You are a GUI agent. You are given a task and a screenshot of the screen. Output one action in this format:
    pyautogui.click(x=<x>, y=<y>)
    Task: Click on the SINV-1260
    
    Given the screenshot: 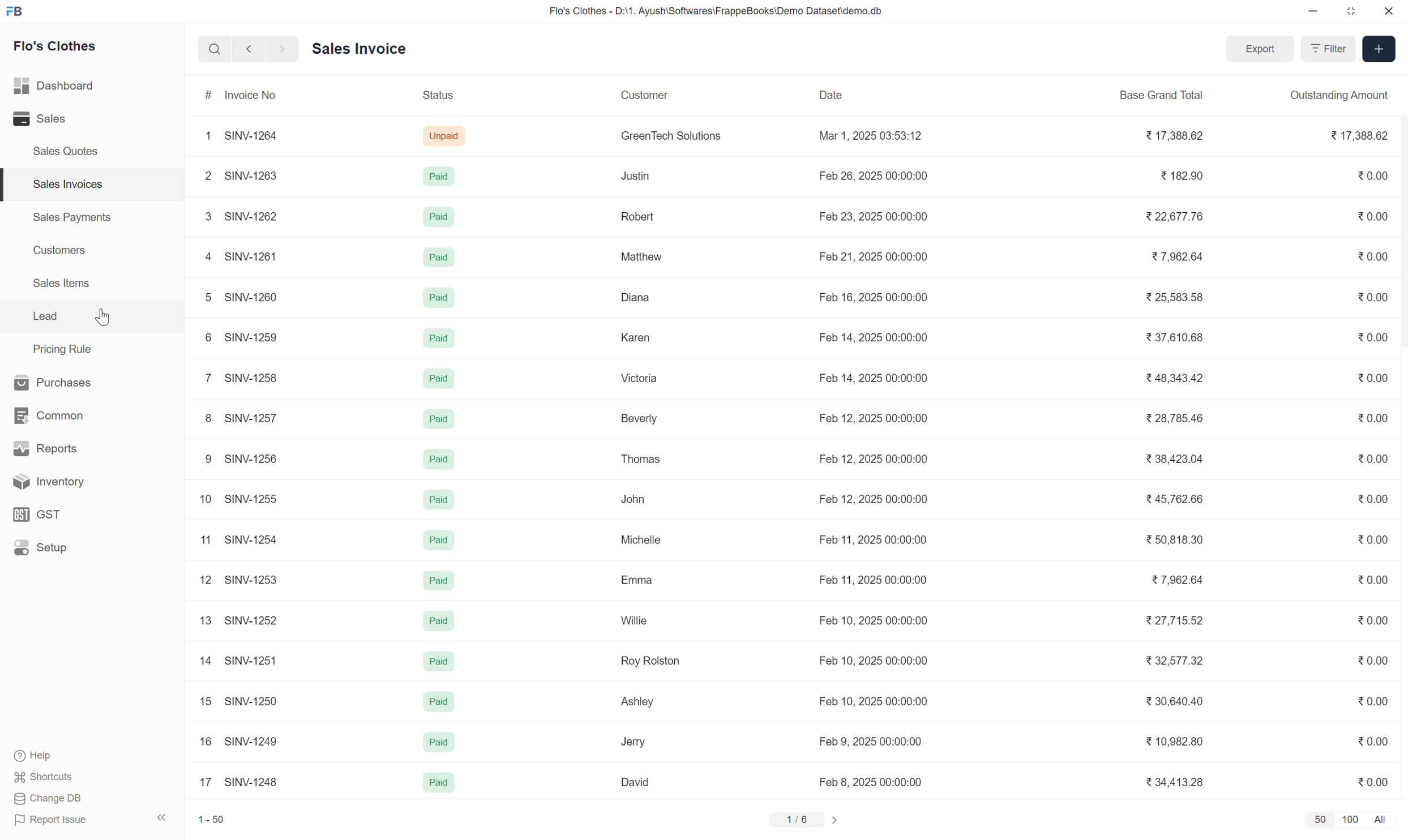 What is the action you would take?
    pyautogui.click(x=255, y=296)
    